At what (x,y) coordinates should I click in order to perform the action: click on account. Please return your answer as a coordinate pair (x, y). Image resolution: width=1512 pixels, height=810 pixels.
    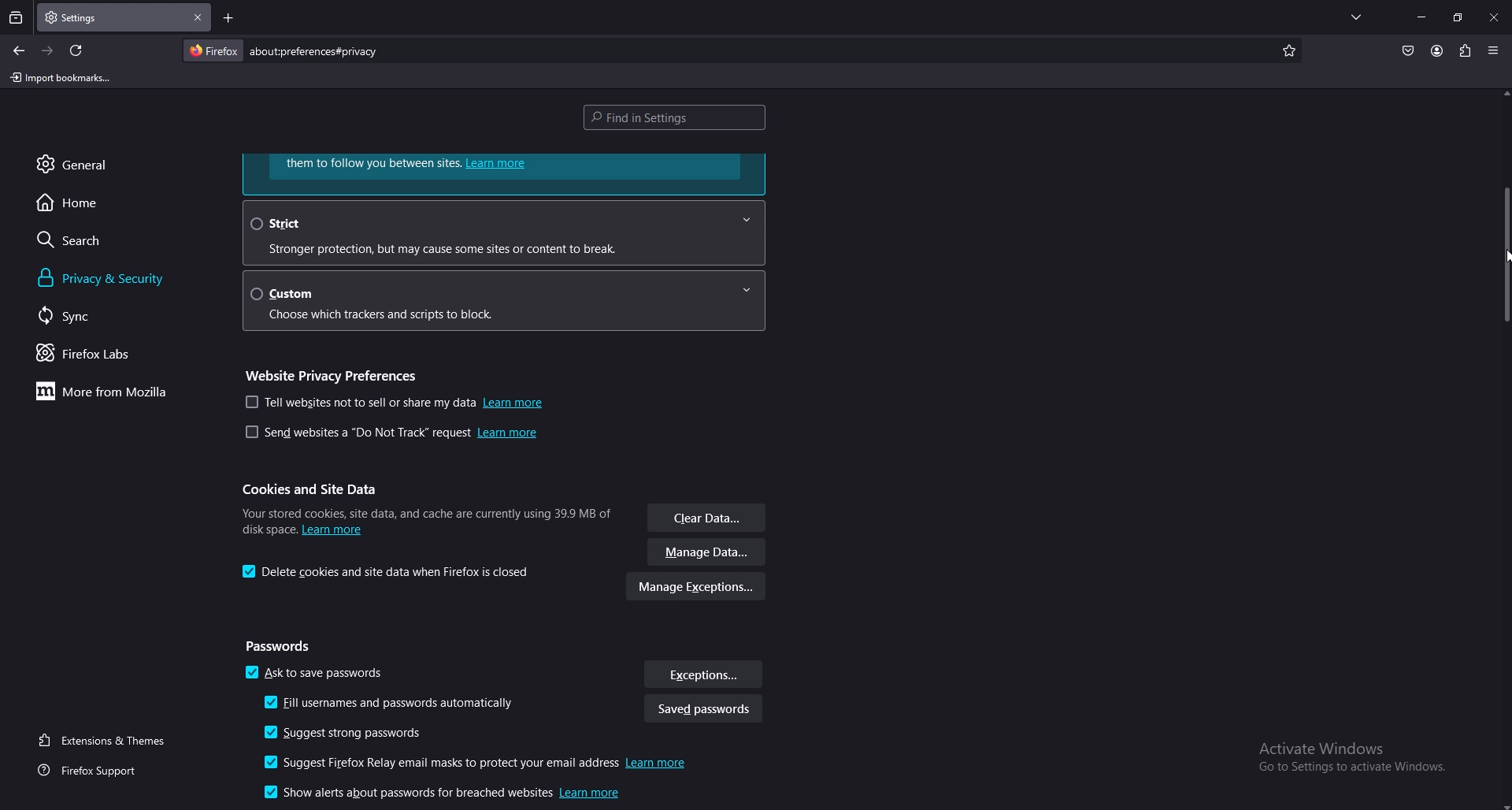
    Looking at the image, I should click on (1436, 50).